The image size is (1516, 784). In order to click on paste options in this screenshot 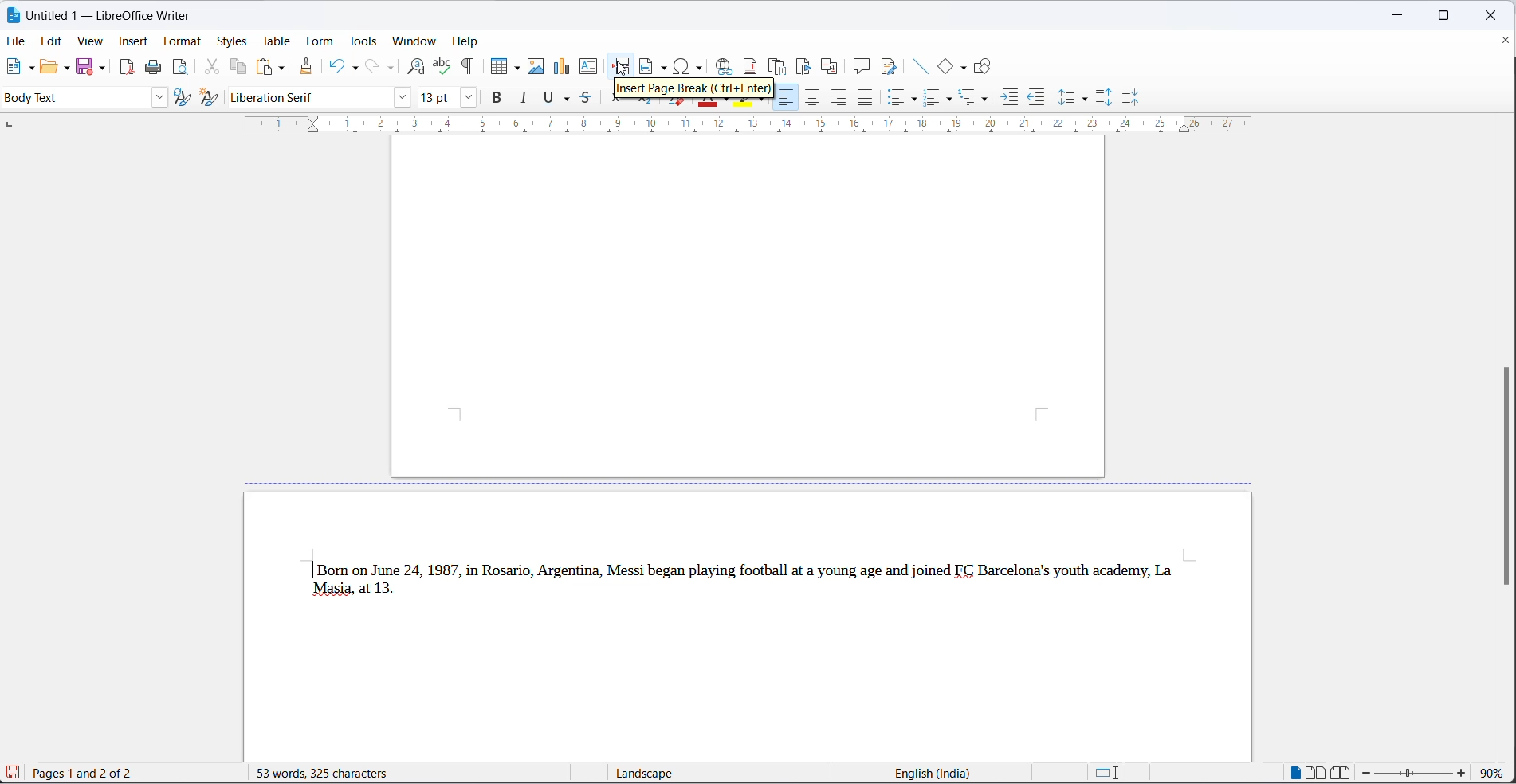, I will do `click(262, 69)`.